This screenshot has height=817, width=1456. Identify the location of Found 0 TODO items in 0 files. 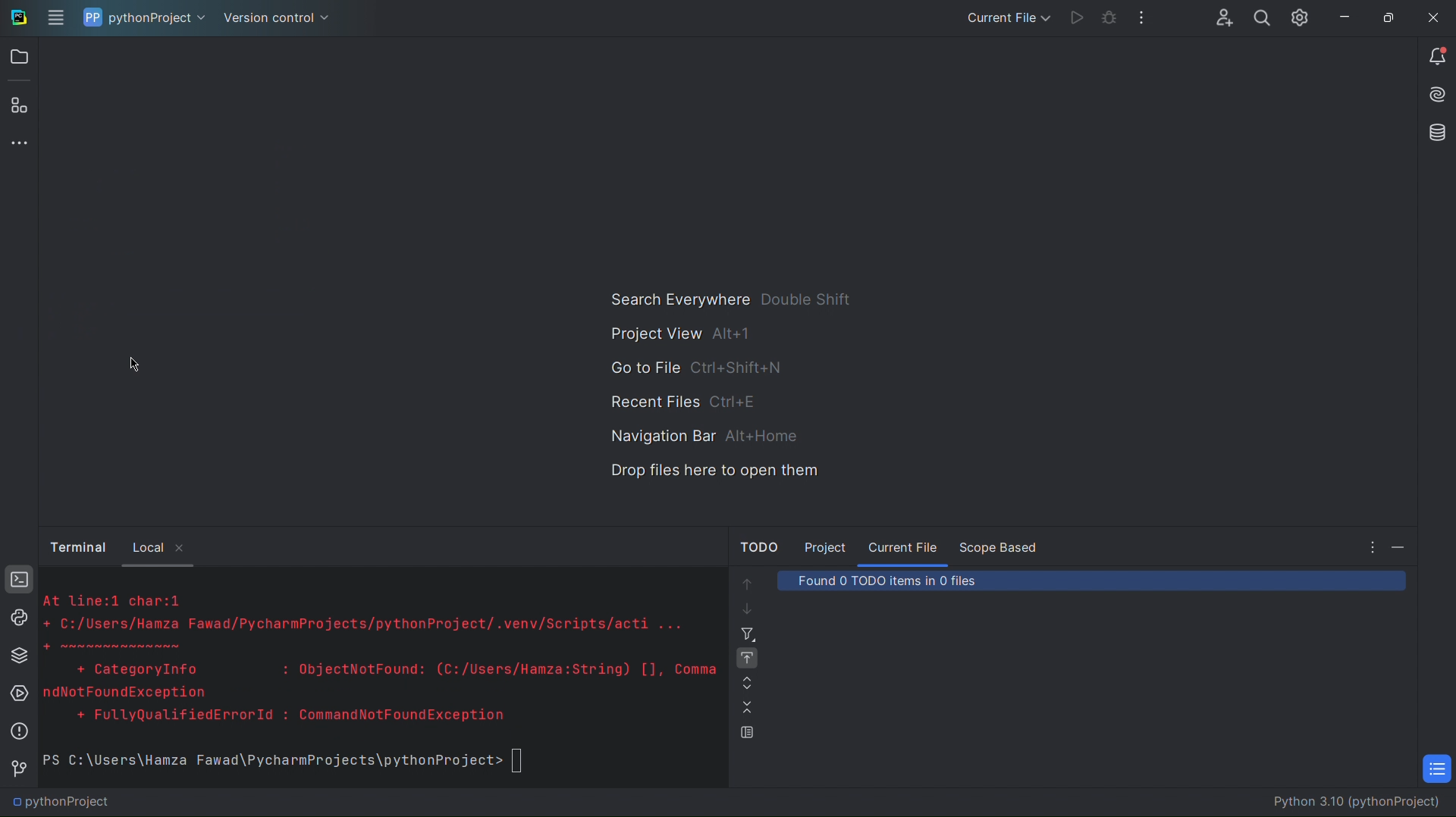
(1091, 584).